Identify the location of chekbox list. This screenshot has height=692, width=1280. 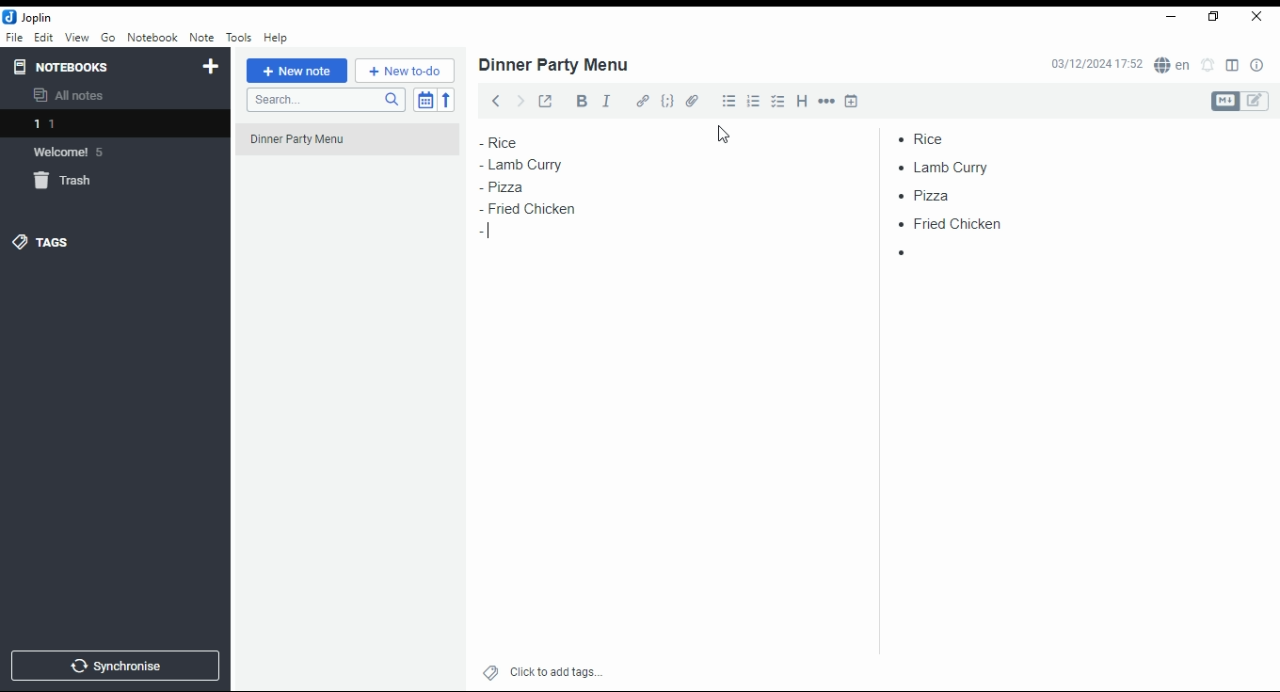
(779, 101).